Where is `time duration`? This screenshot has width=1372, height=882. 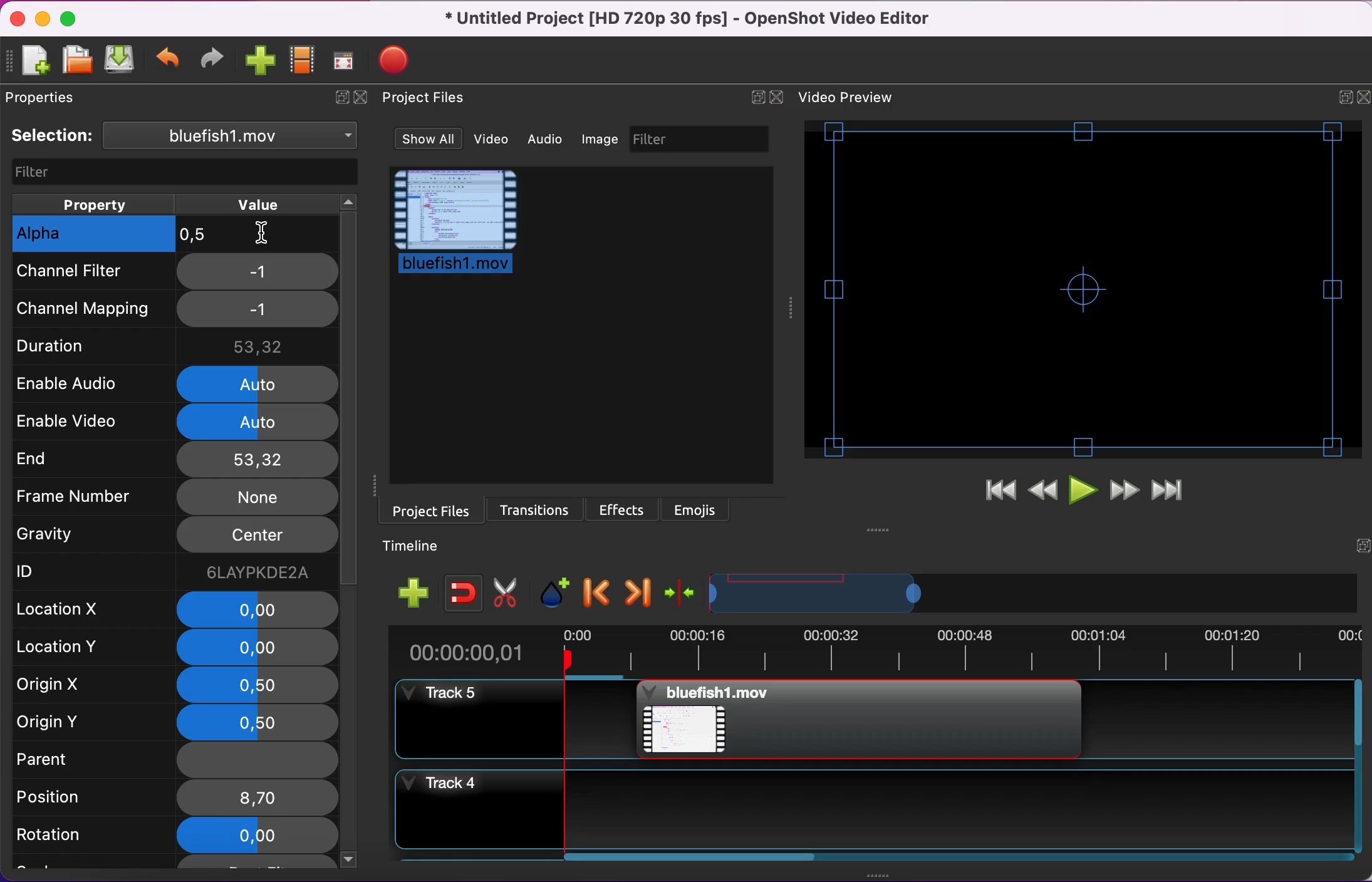 time duration is located at coordinates (883, 652).